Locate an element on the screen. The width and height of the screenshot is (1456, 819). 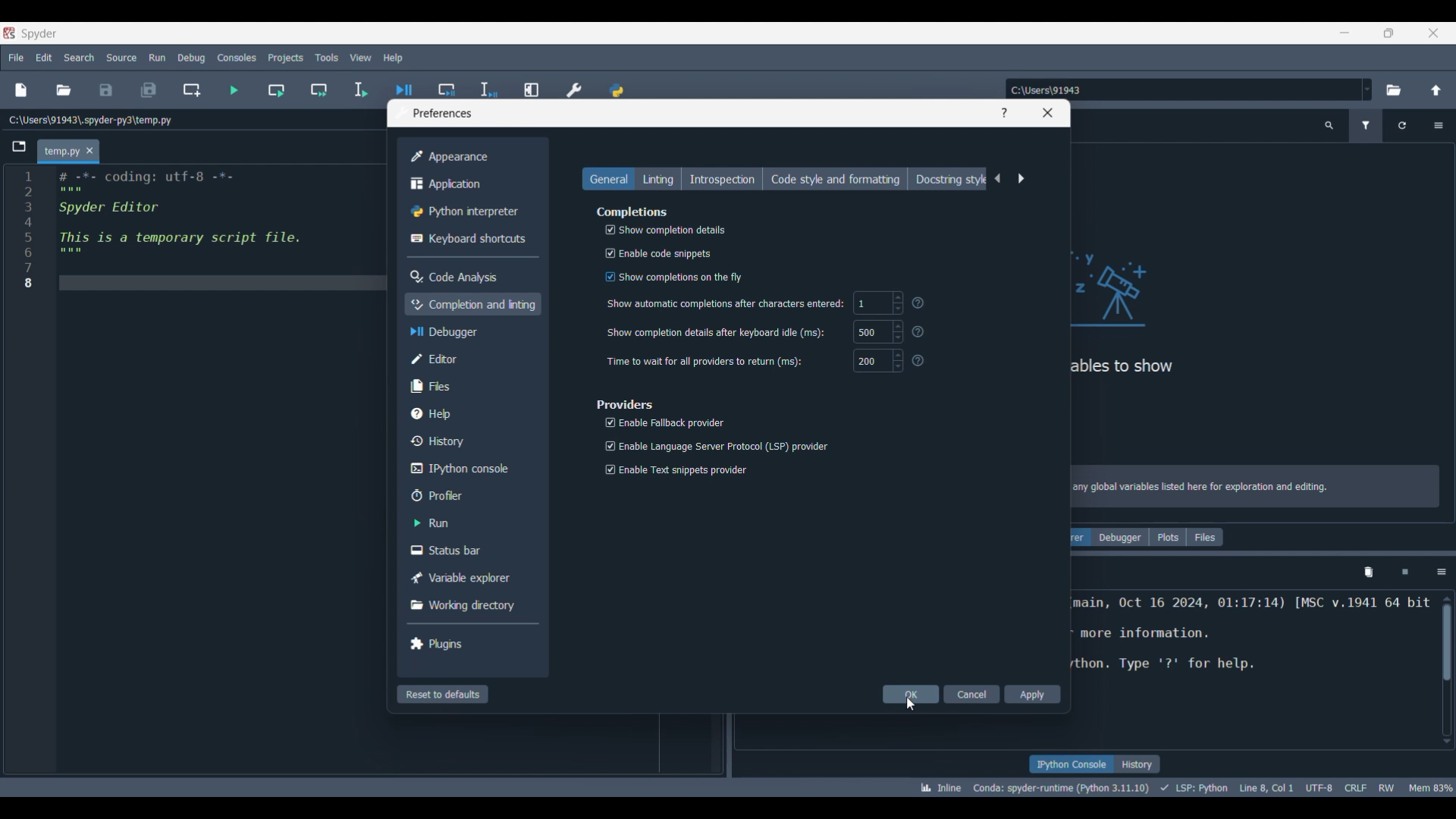
Enter location is located at coordinates (1182, 89).